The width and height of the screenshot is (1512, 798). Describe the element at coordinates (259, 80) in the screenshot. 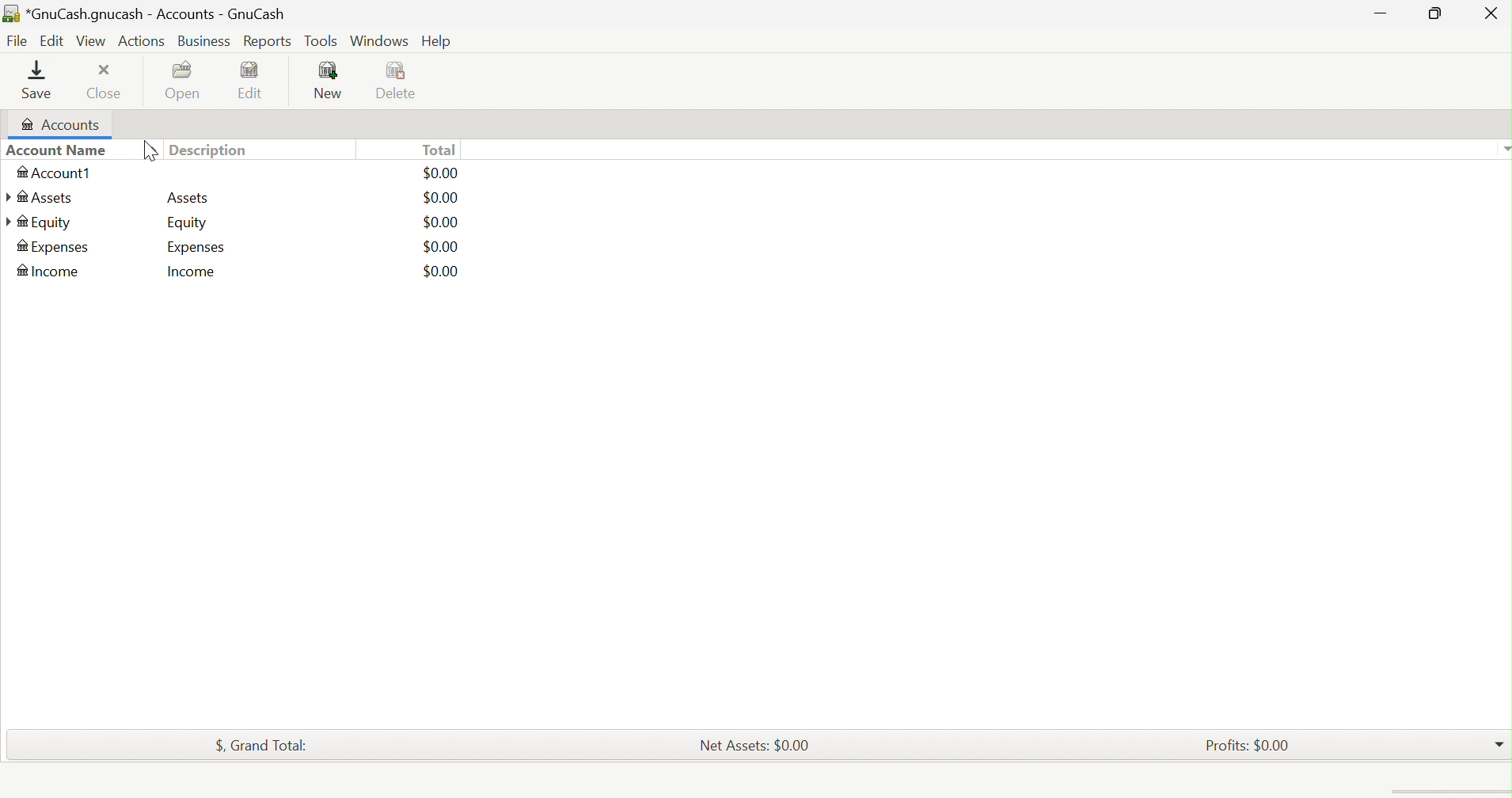

I see `Edit` at that location.